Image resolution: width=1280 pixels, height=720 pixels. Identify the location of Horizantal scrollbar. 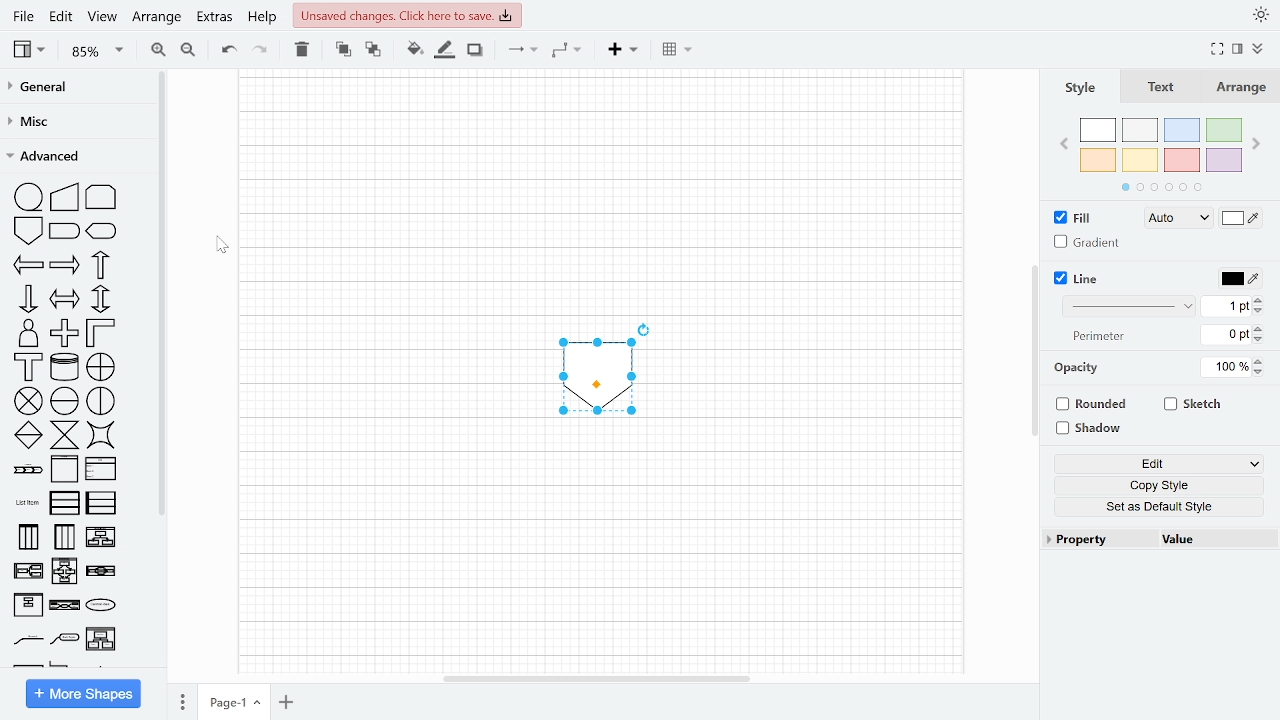
(594, 680).